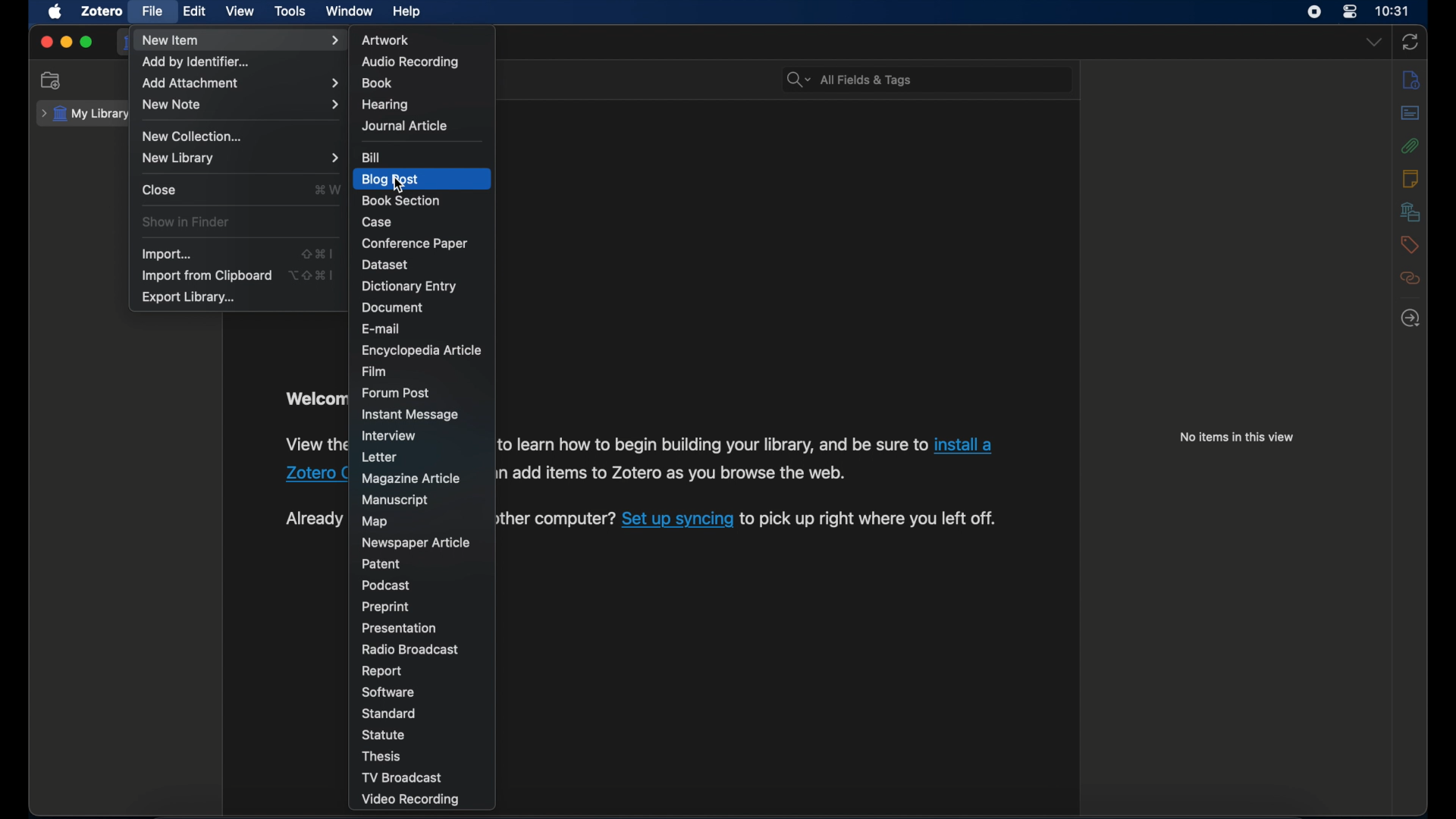 This screenshot has height=819, width=1456. I want to click on show in finder, so click(185, 222).